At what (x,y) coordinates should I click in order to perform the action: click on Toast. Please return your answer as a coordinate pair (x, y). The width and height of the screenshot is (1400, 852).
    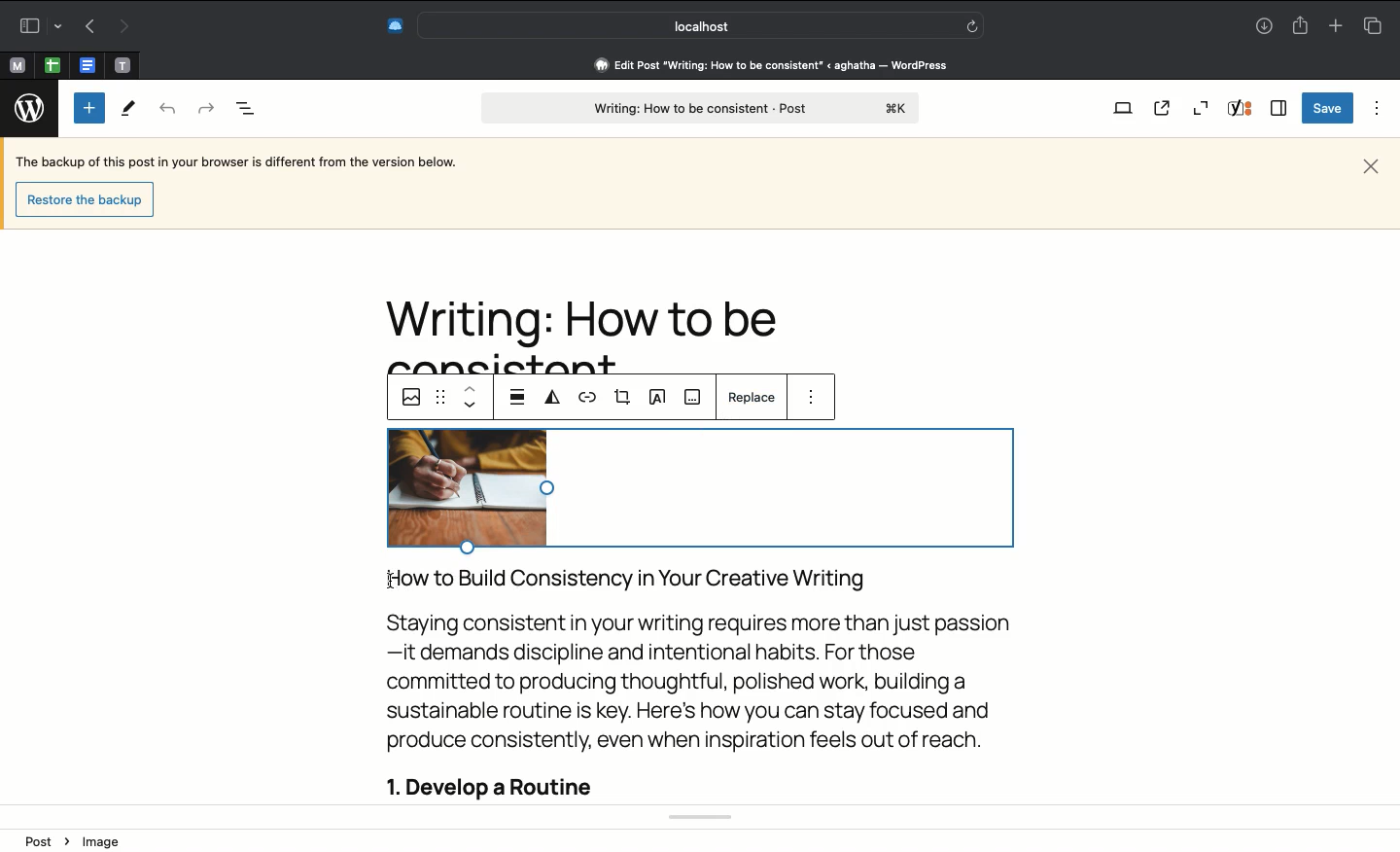
    Looking at the image, I should click on (706, 819).